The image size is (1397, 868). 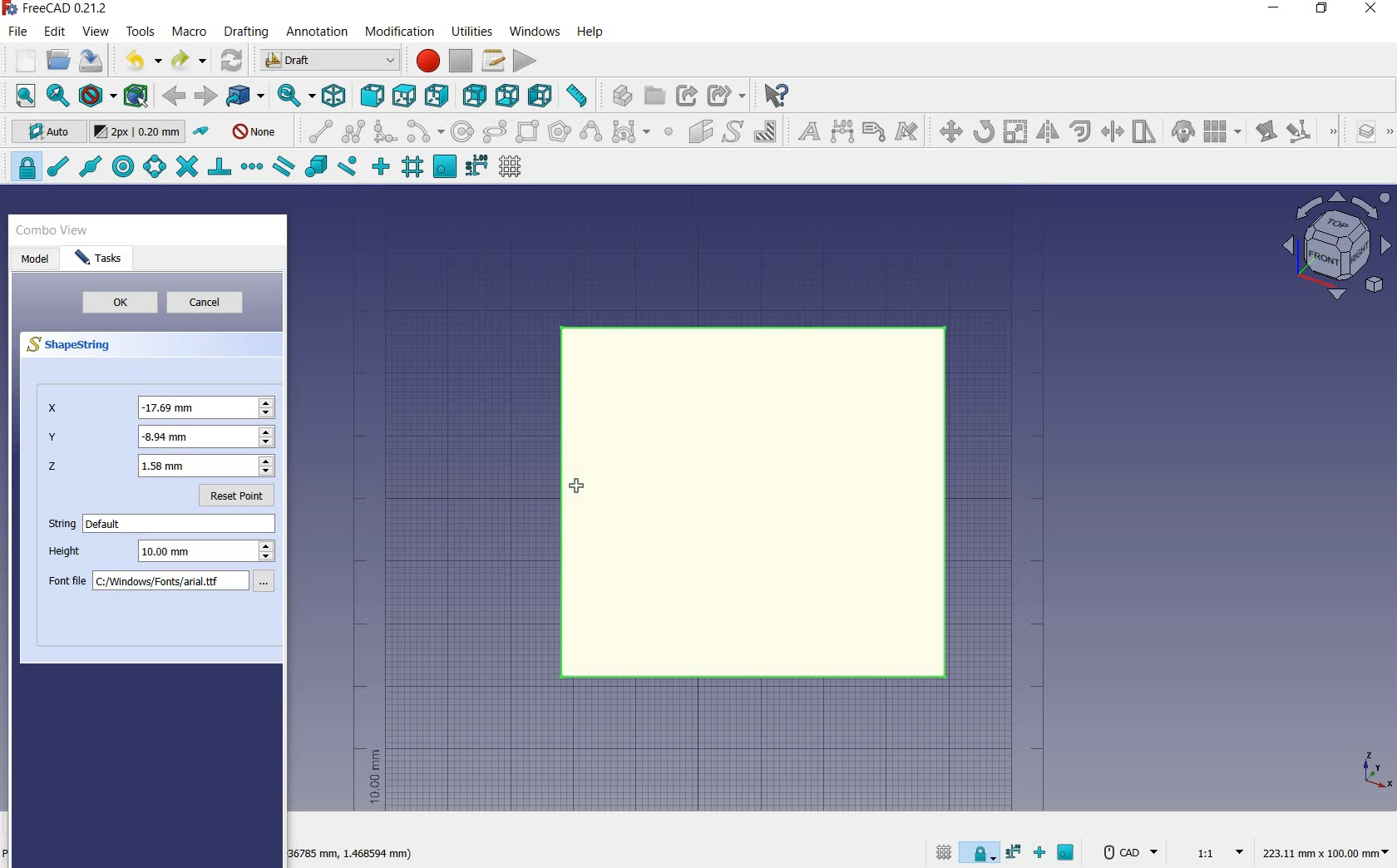 What do you see at coordinates (494, 132) in the screenshot?
I see `ellipse` at bounding box center [494, 132].